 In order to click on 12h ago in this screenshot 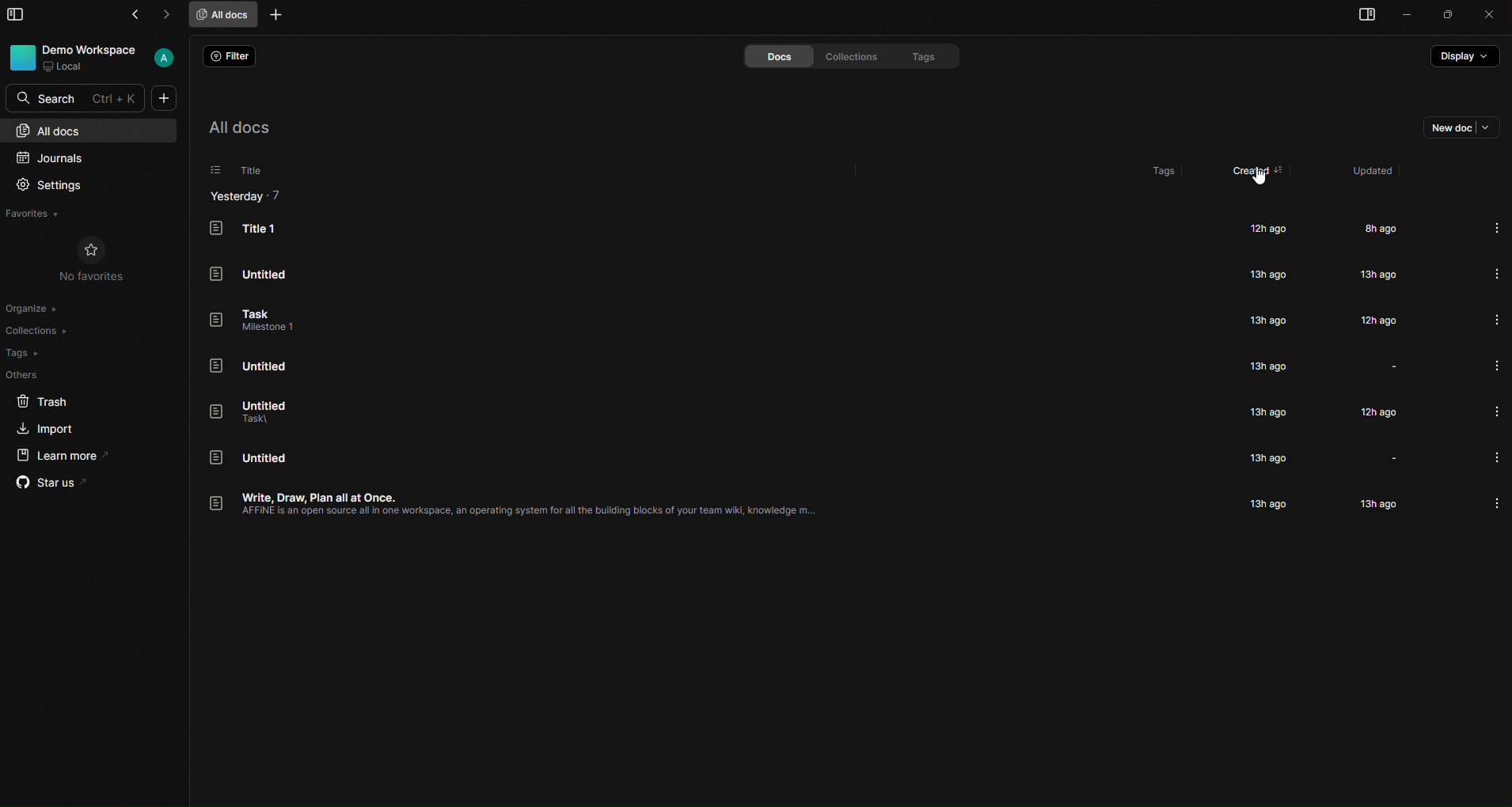, I will do `click(1263, 227)`.